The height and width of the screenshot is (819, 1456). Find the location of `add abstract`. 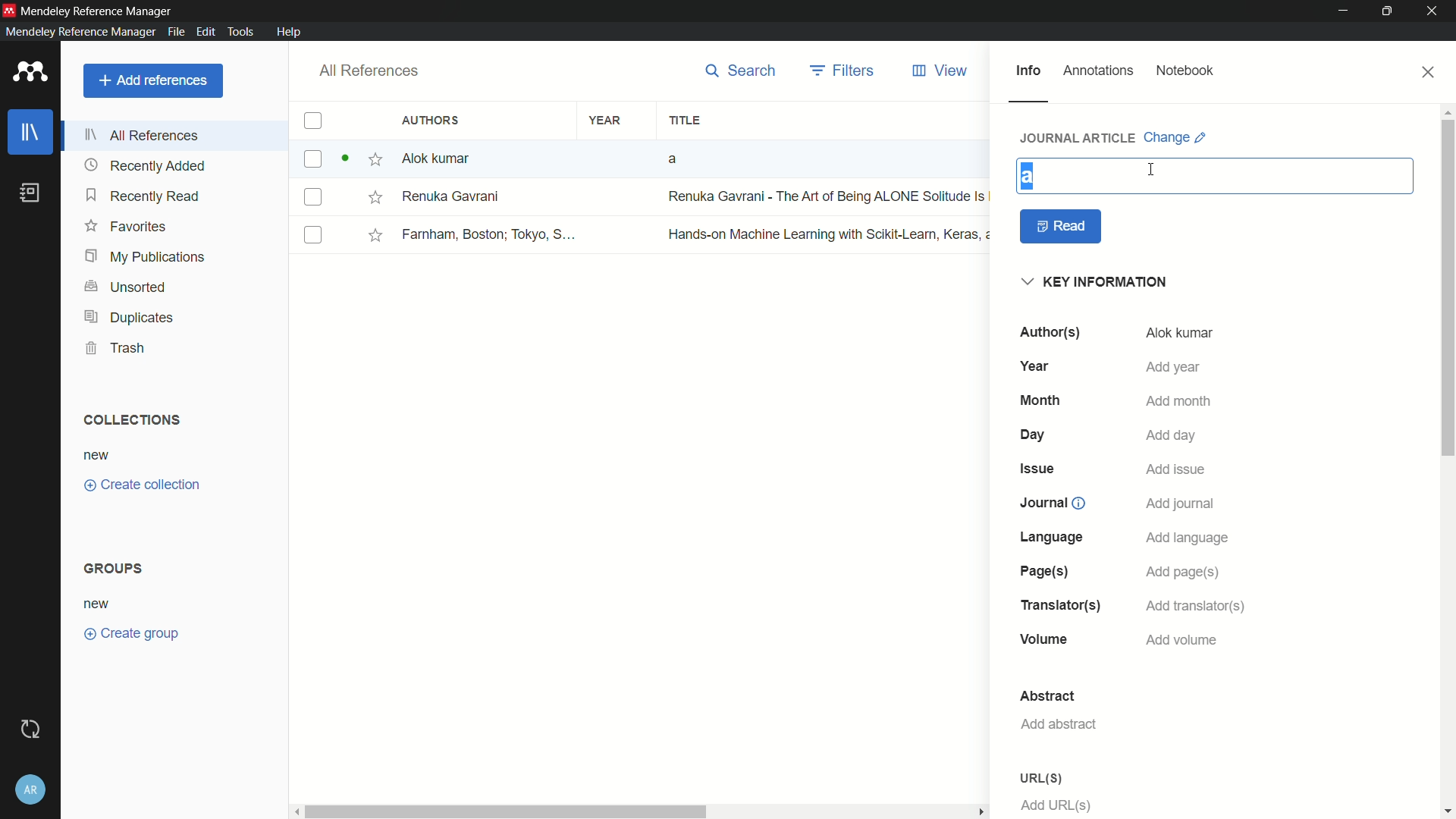

add abstract is located at coordinates (1058, 724).